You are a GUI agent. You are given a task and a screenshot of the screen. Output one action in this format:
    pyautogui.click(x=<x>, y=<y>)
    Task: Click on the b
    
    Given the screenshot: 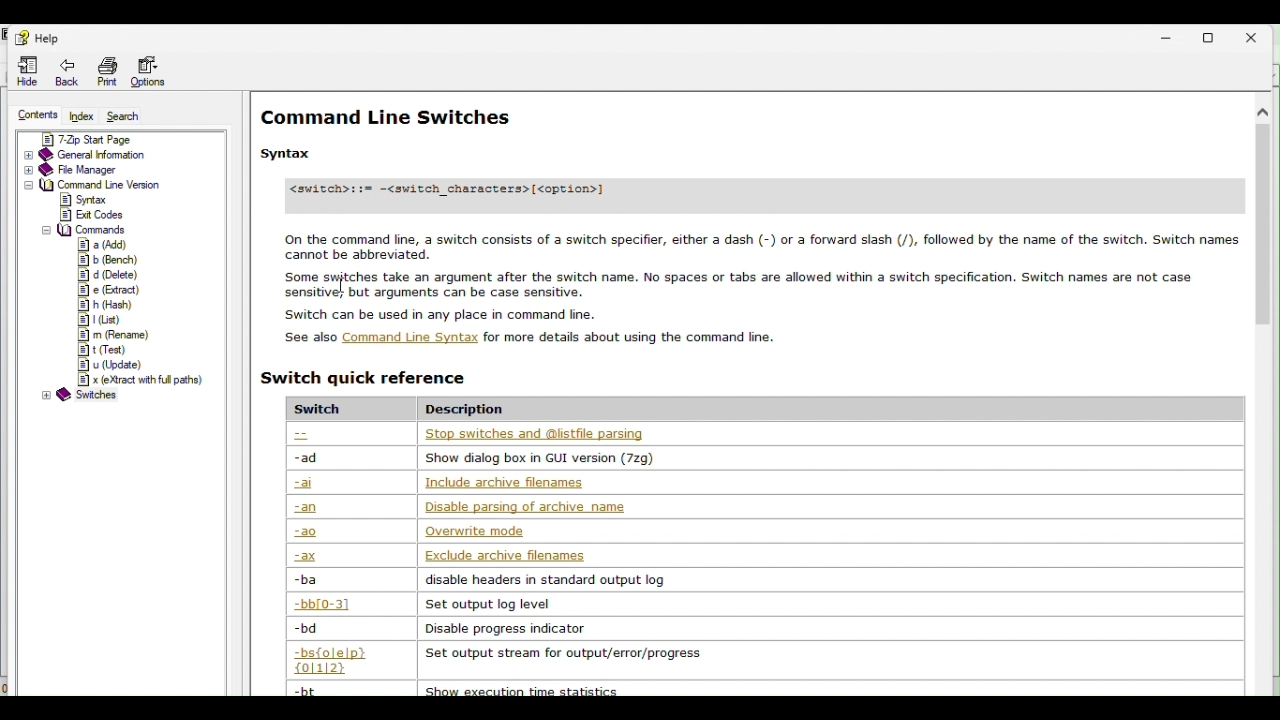 What is the action you would take?
    pyautogui.click(x=122, y=260)
    